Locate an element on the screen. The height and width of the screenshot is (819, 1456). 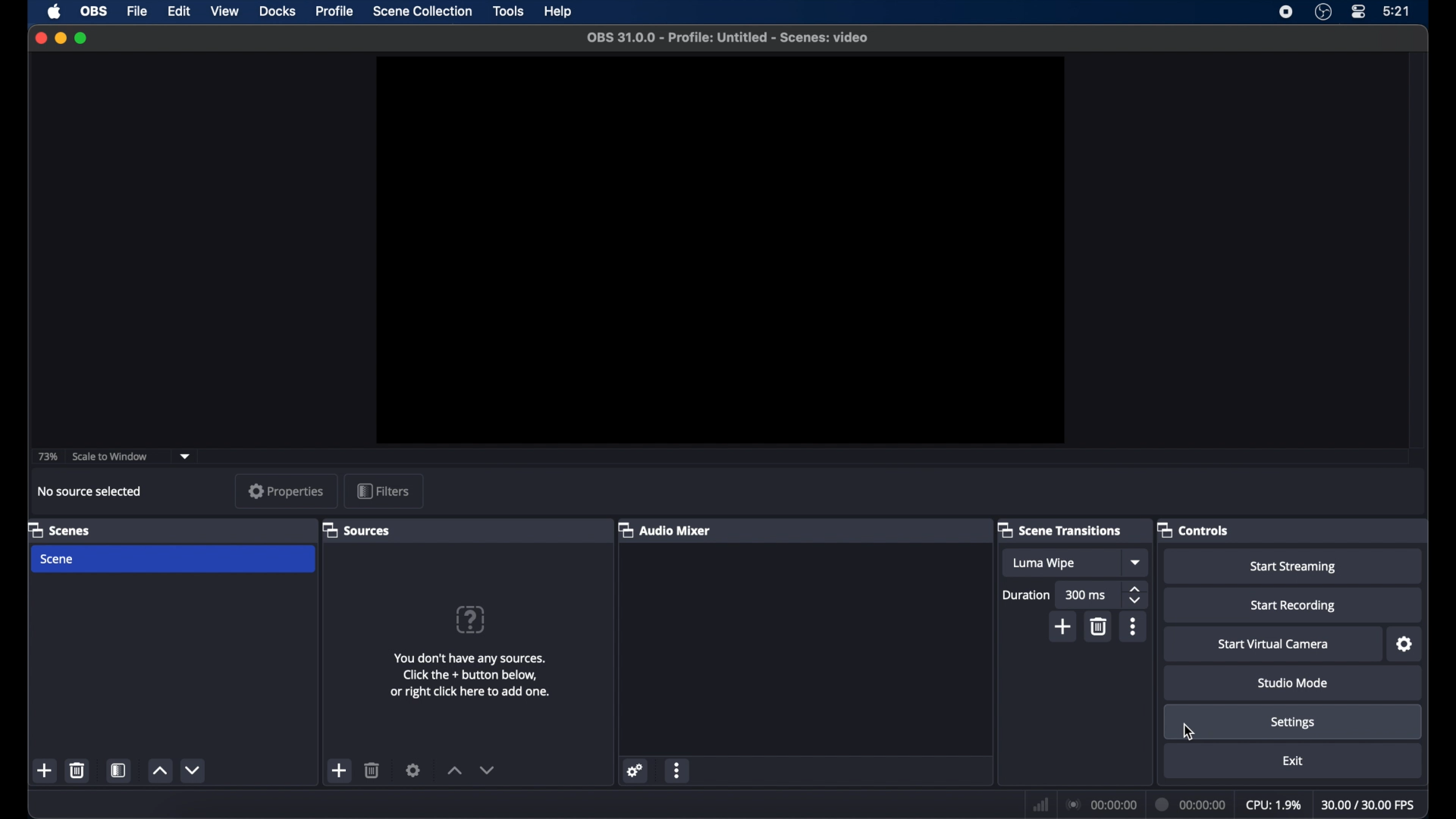
OBS 31.0.0 - Profile: Untitled - Scenes: video is located at coordinates (727, 37).